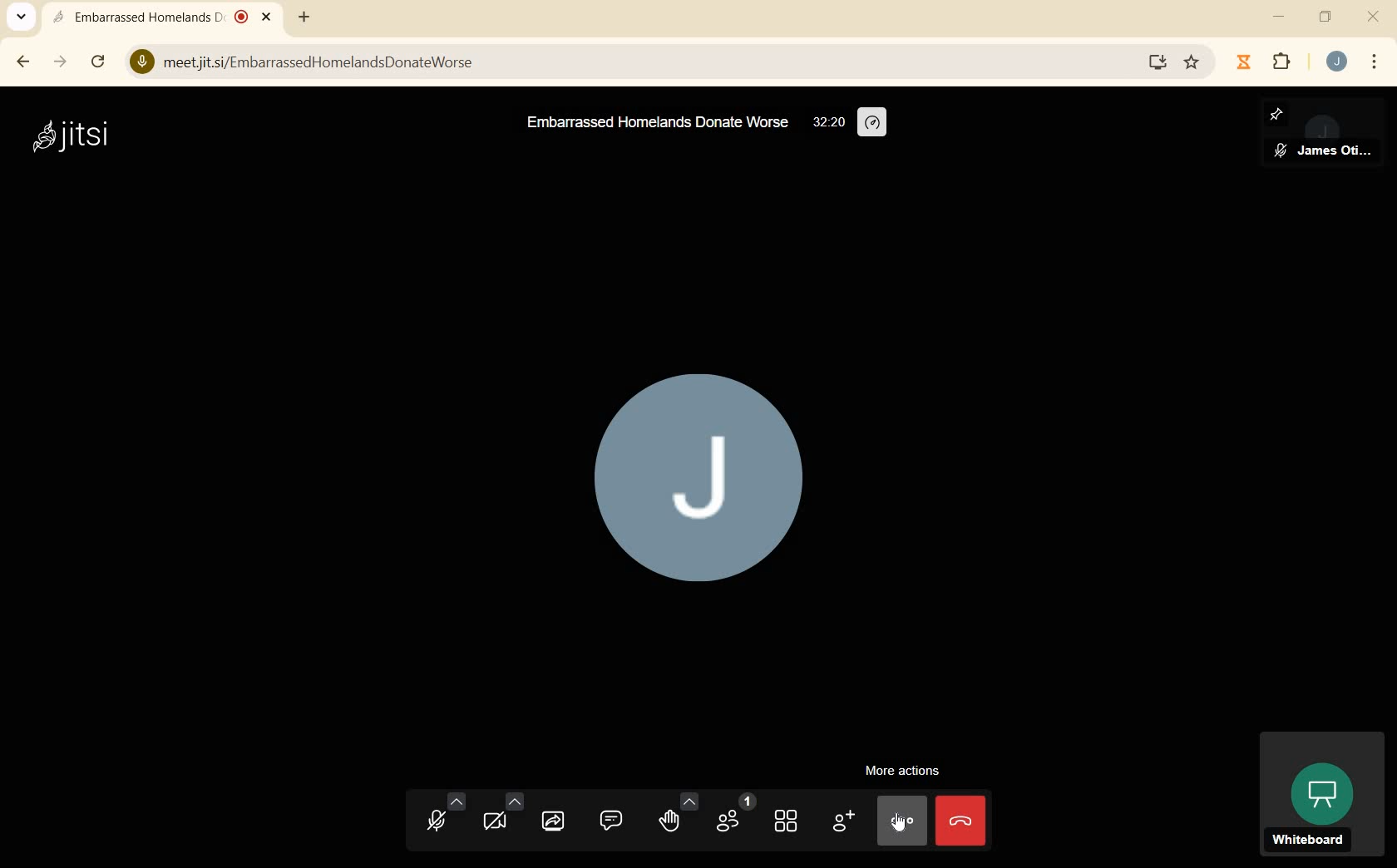  I want to click on close, so click(1374, 17).